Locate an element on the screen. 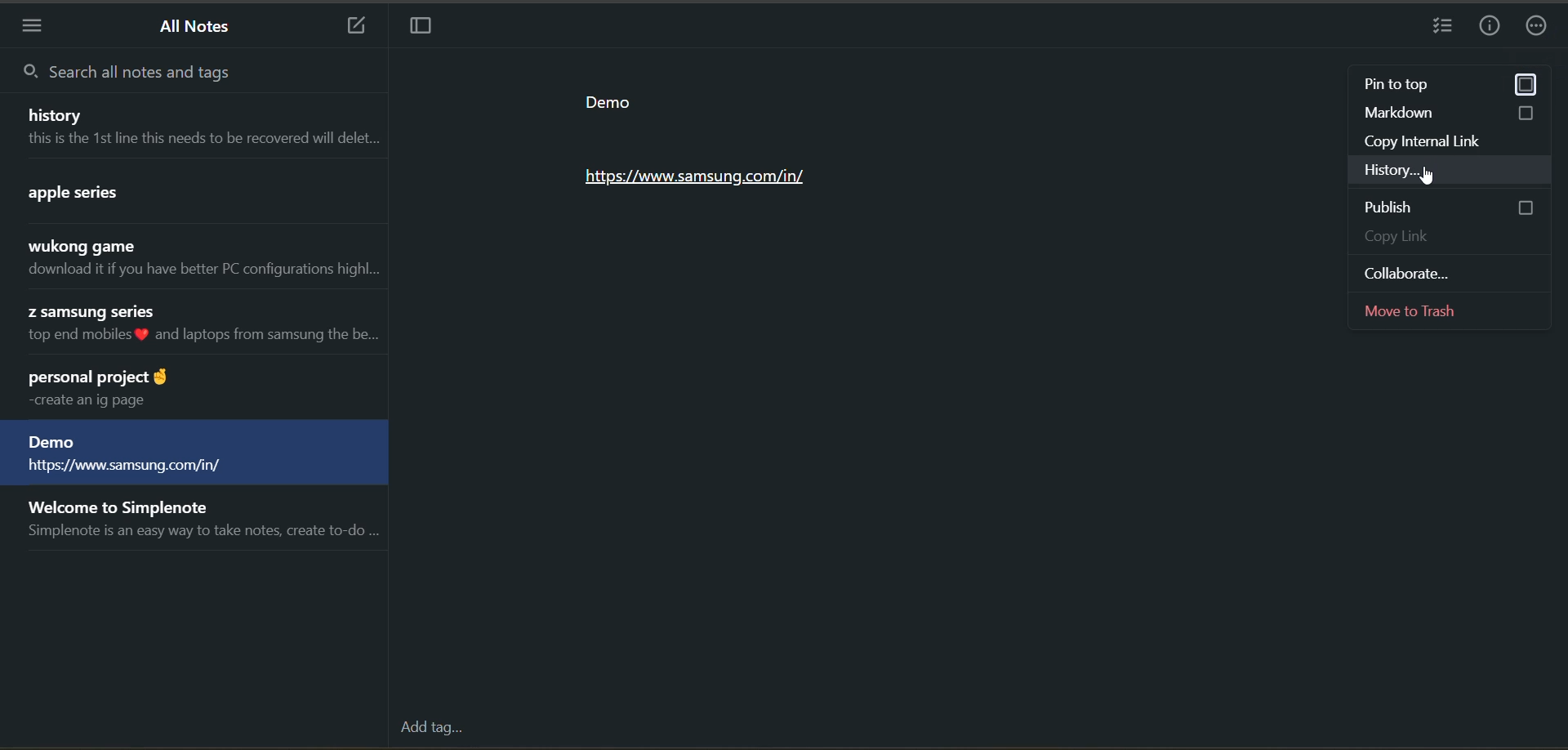 The width and height of the screenshot is (1568, 750). pin to top is located at coordinates (1450, 87).